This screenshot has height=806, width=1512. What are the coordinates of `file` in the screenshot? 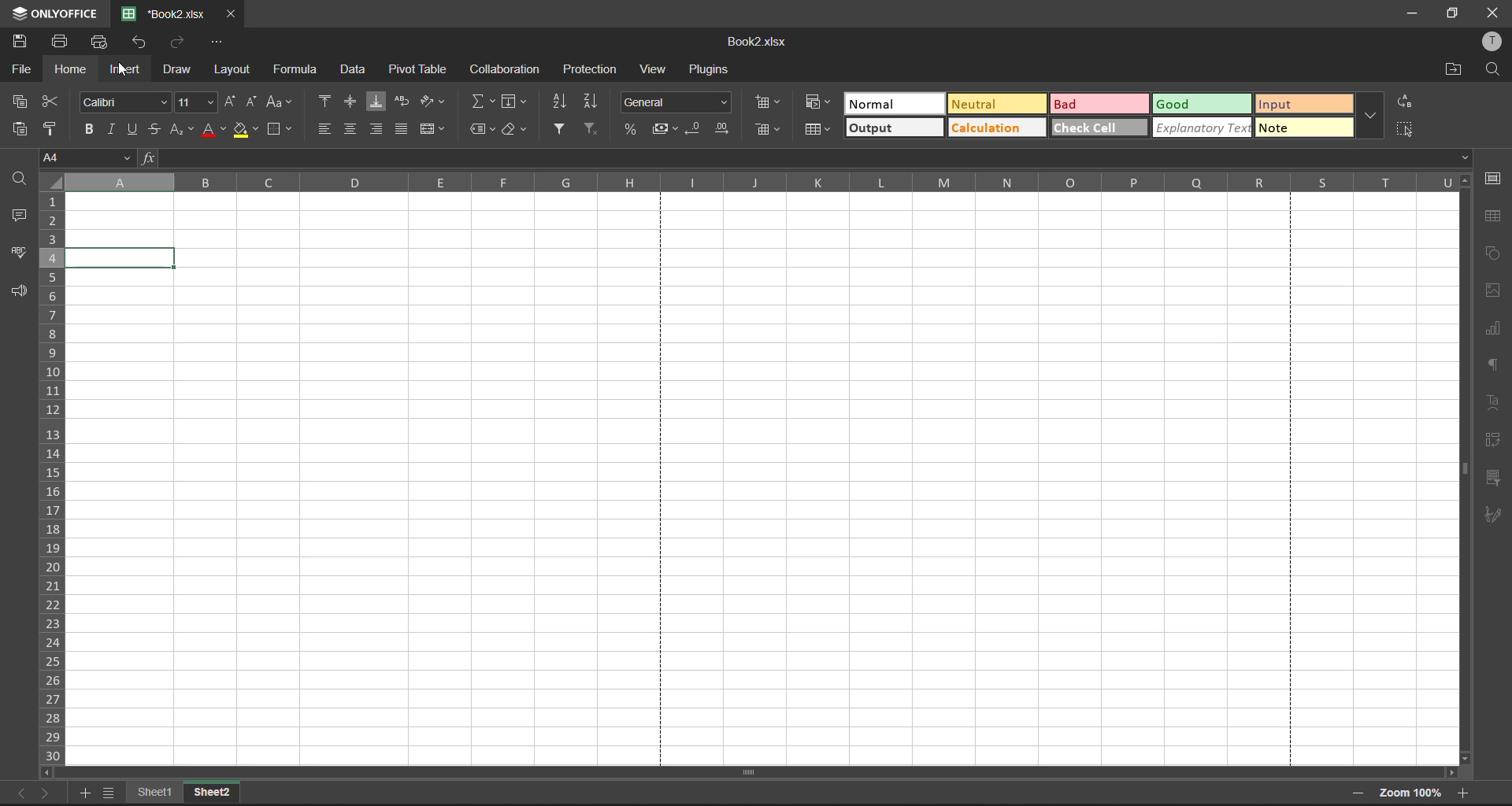 It's located at (19, 72).